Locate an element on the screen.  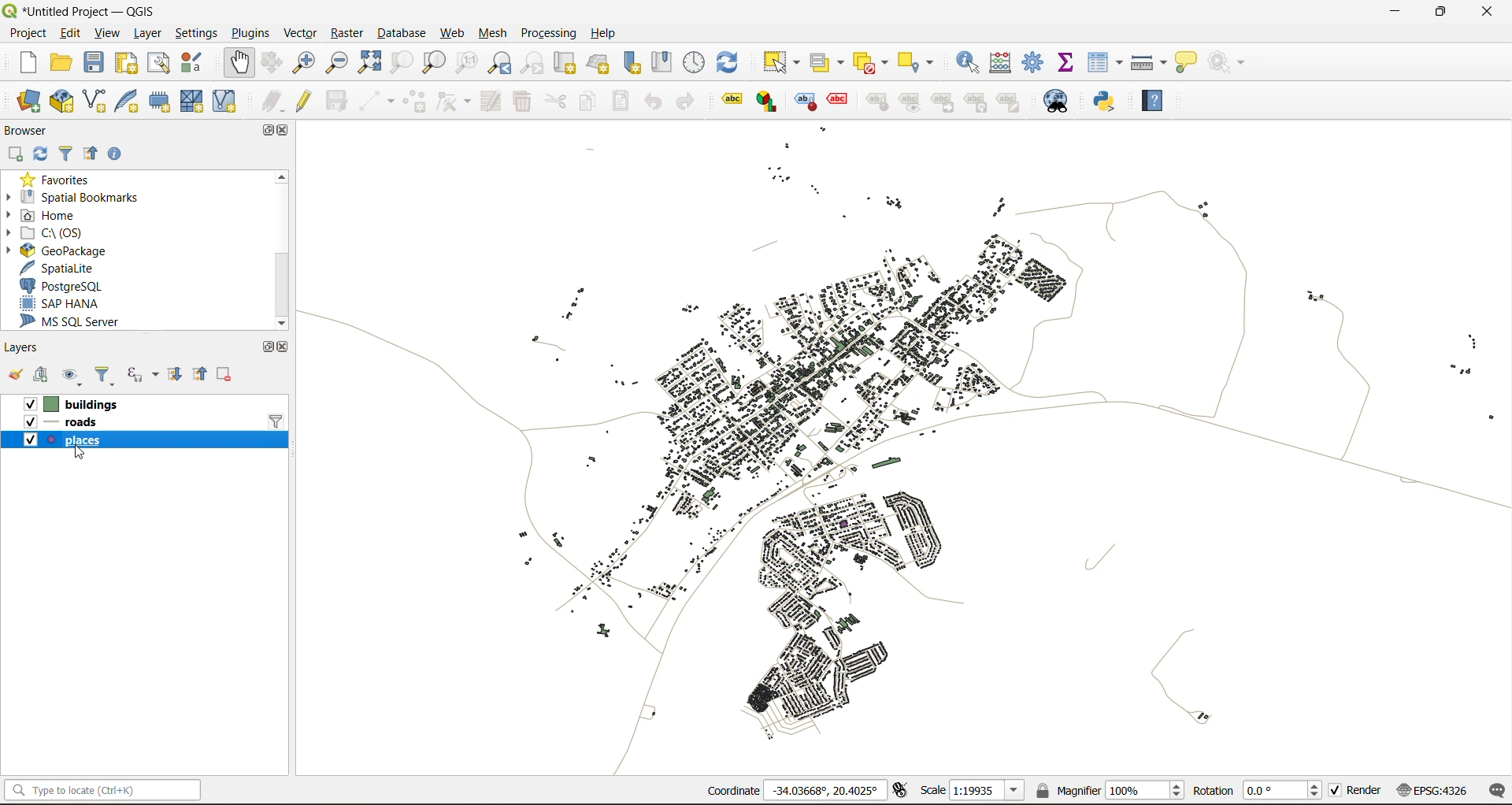
remove is located at coordinates (227, 376).